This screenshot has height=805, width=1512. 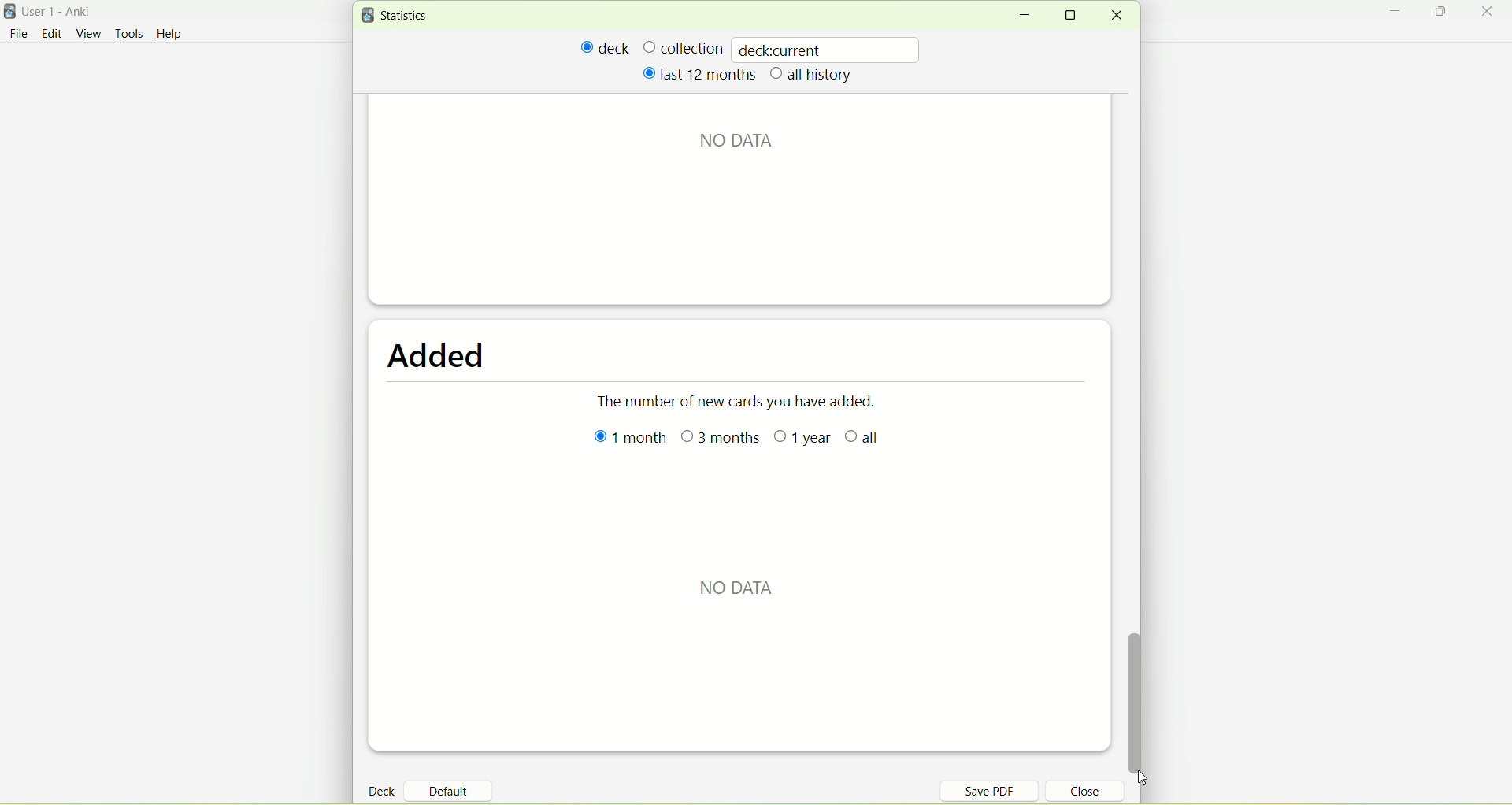 I want to click on minimize, so click(x=1399, y=13).